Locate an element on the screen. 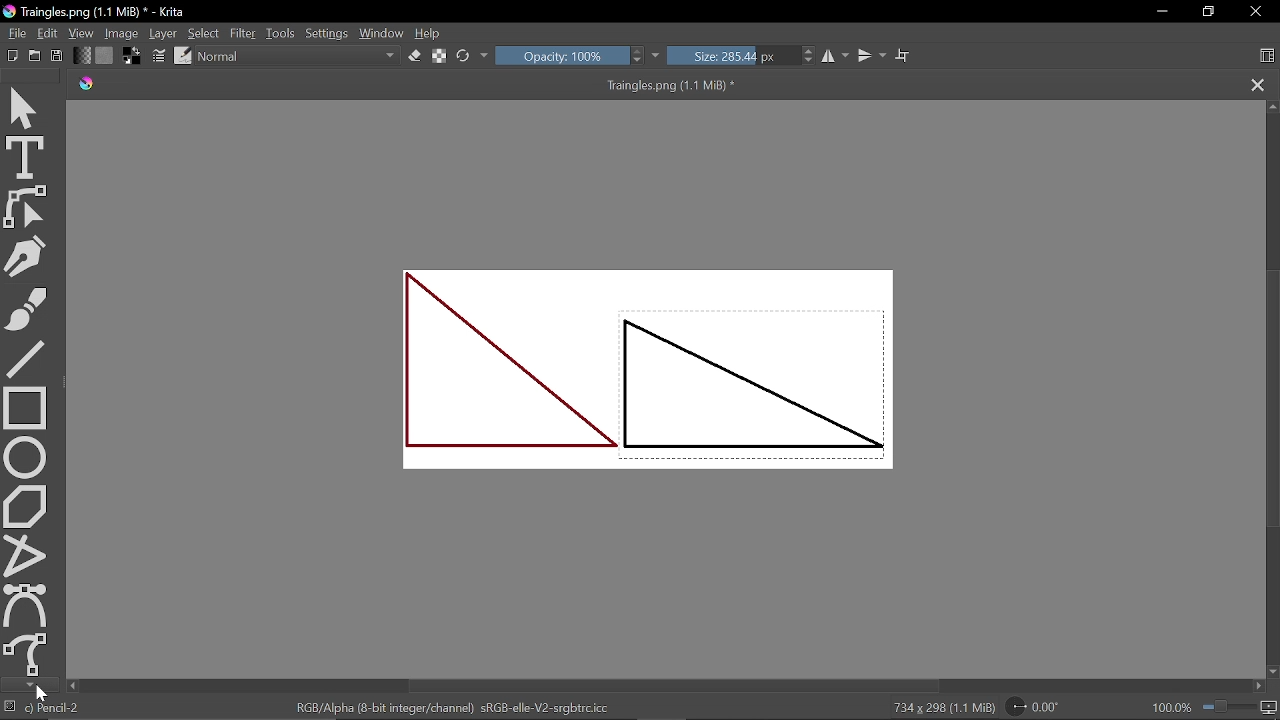  Move left is located at coordinates (72, 686).